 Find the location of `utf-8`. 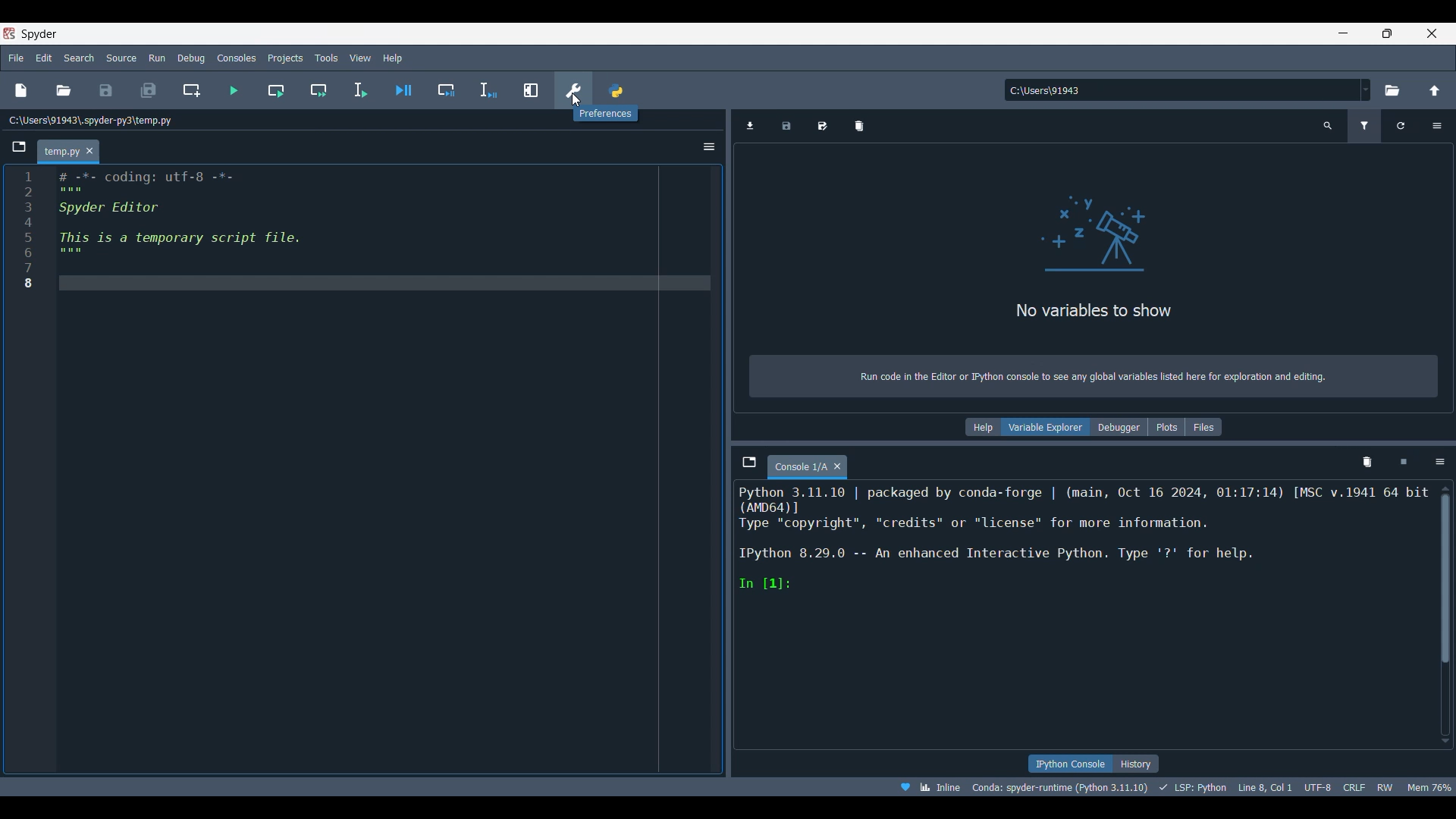

utf-8 is located at coordinates (1316, 786).